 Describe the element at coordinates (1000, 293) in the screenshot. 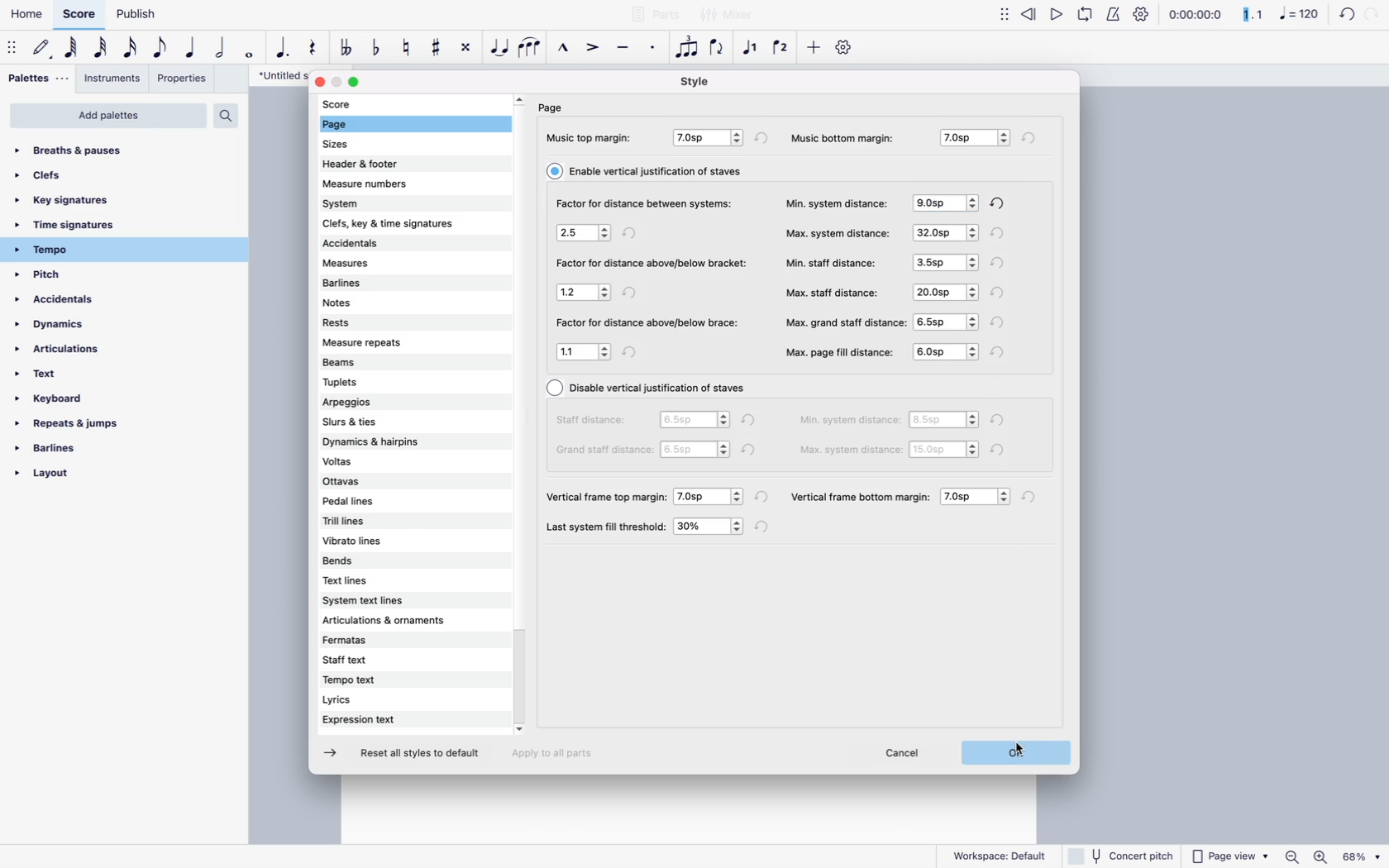

I see `refresh` at that location.